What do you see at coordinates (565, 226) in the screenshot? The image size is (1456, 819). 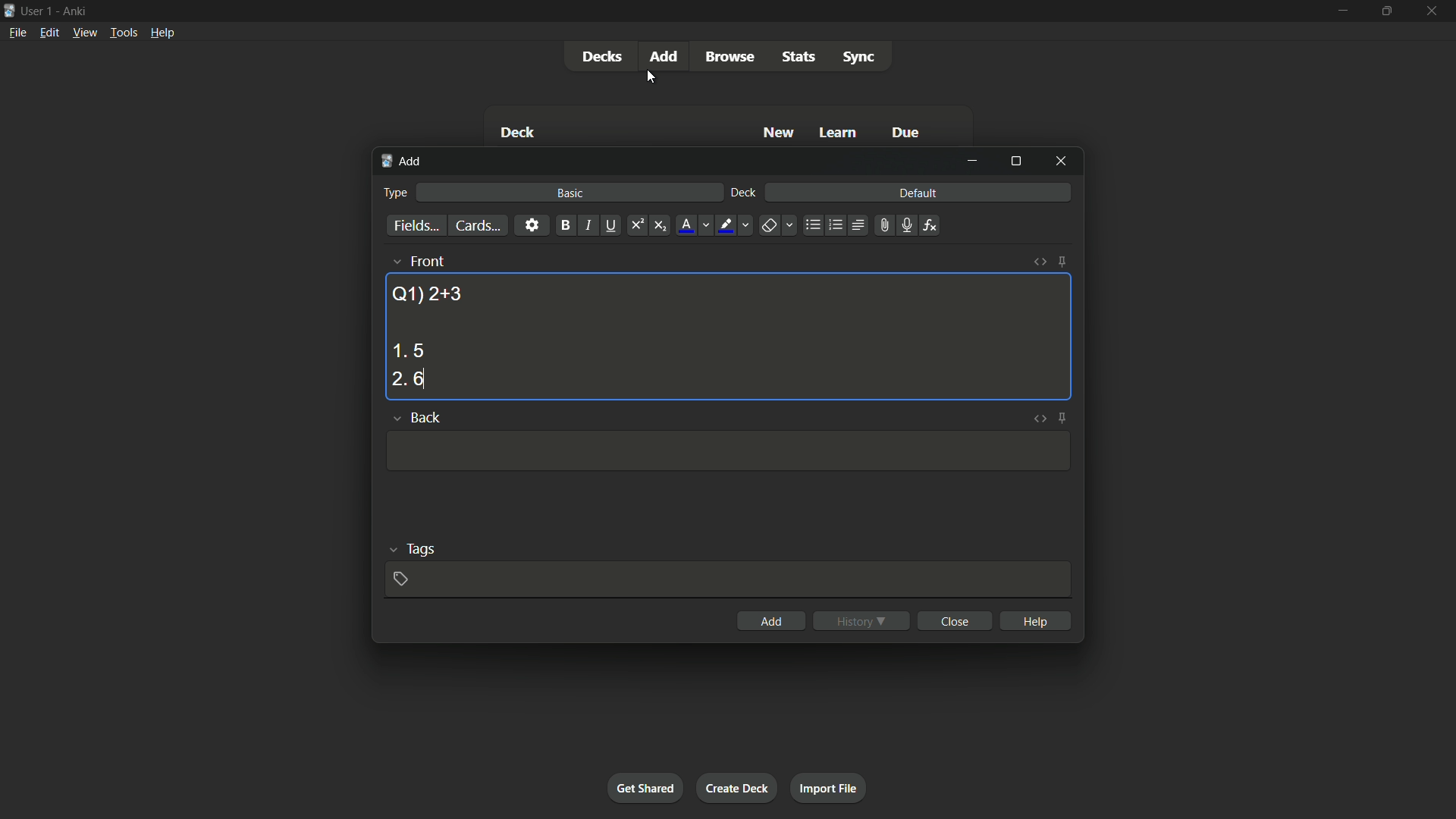 I see `bold` at bounding box center [565, 226].